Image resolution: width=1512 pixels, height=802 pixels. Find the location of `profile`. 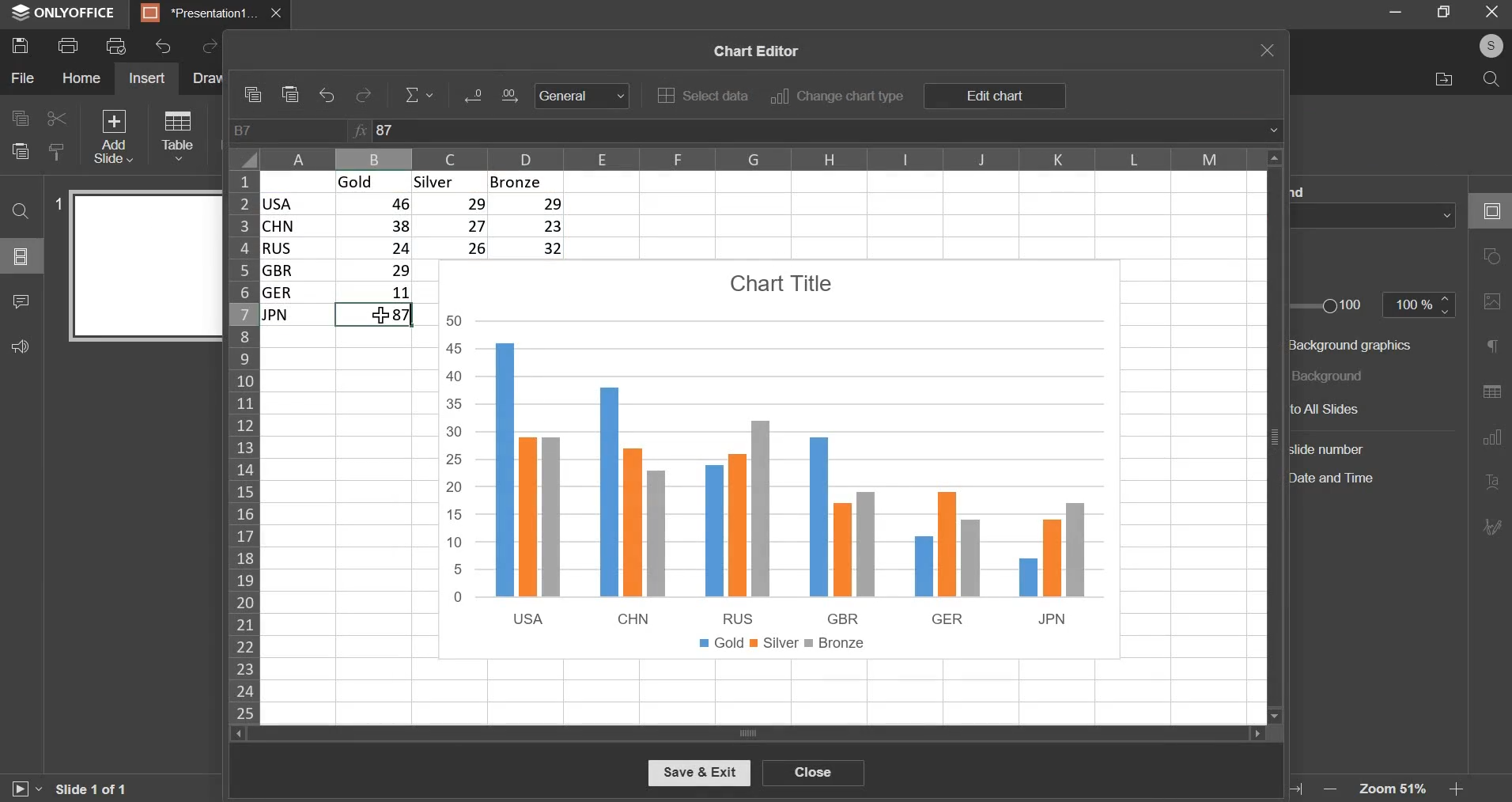

profile is located at coordinates (1490, 44).